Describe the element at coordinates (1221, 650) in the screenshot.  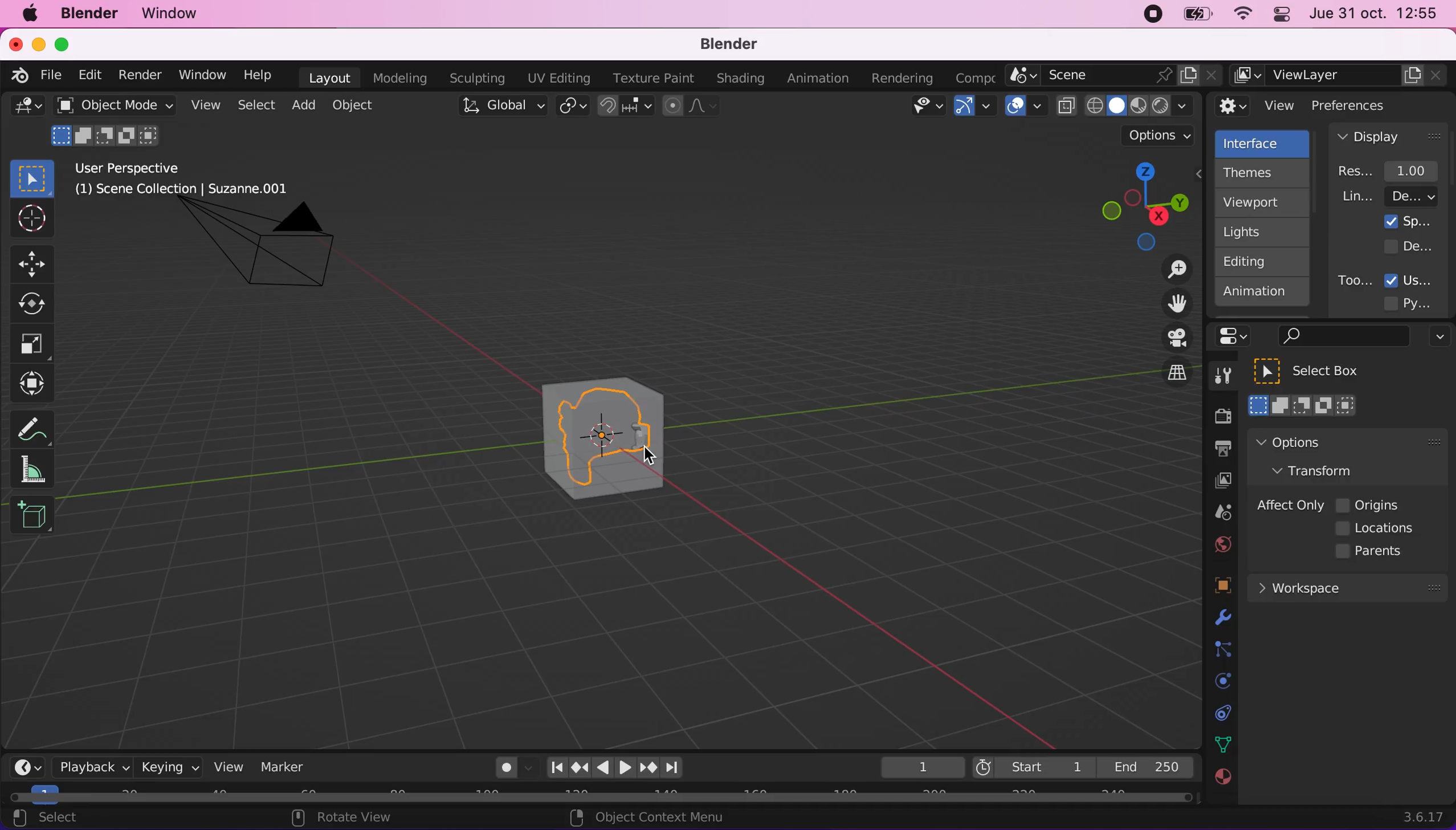
I see `constraints` at that location.